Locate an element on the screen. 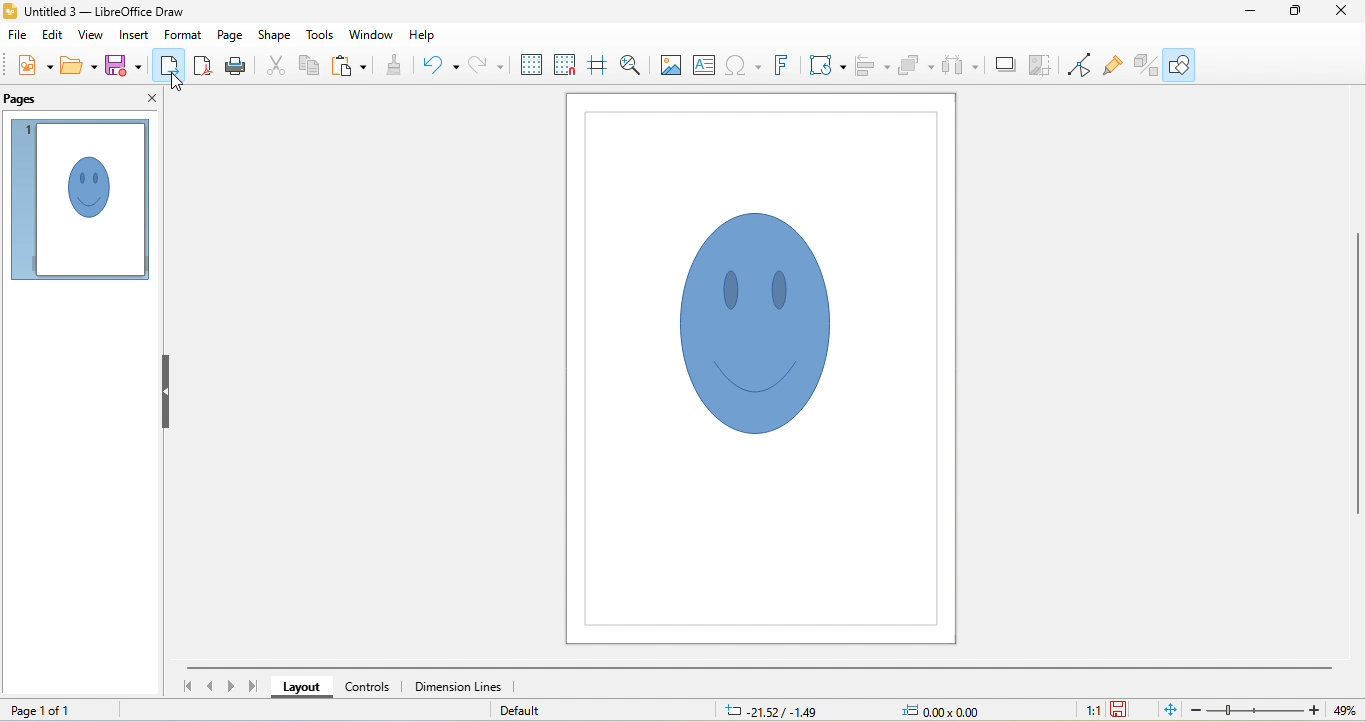 Image resolution: width=1366 pixels, height=722 pixels. tools is located at coordinates (321, 35).